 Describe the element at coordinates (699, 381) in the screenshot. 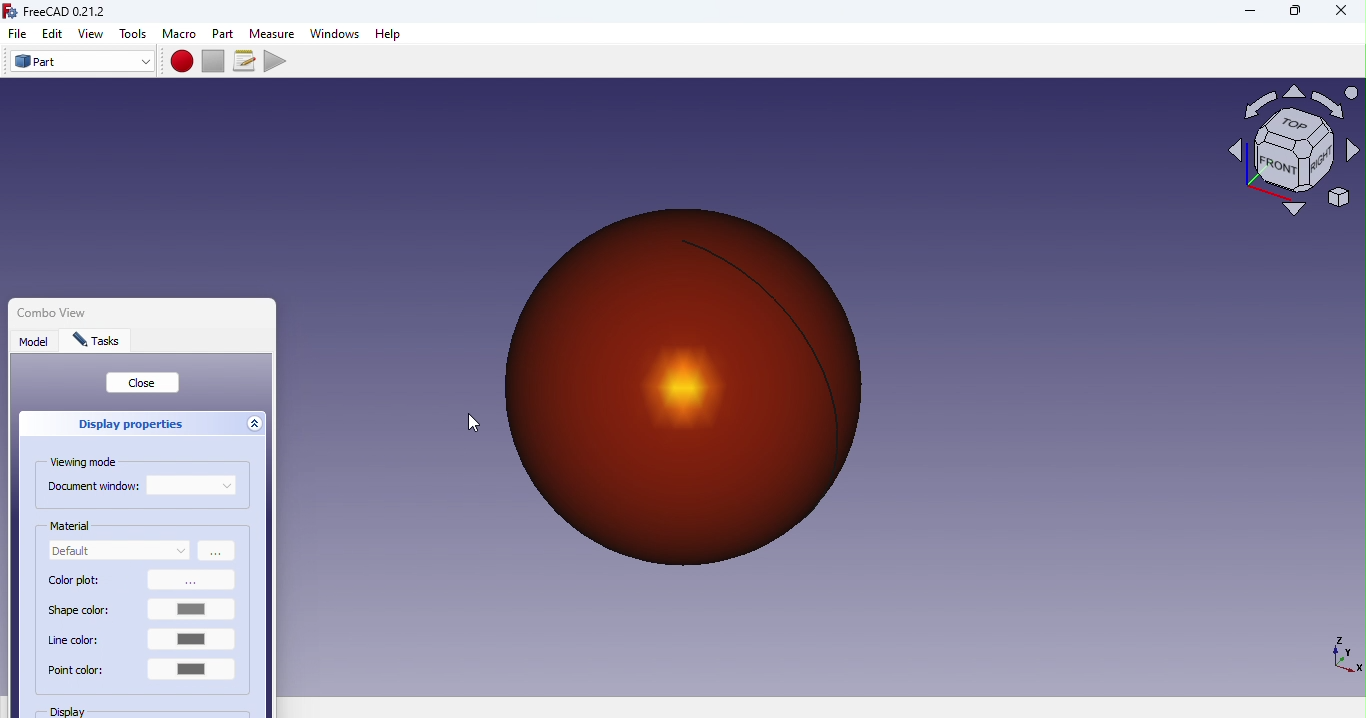

I see `Sphere (copper)` at that location.